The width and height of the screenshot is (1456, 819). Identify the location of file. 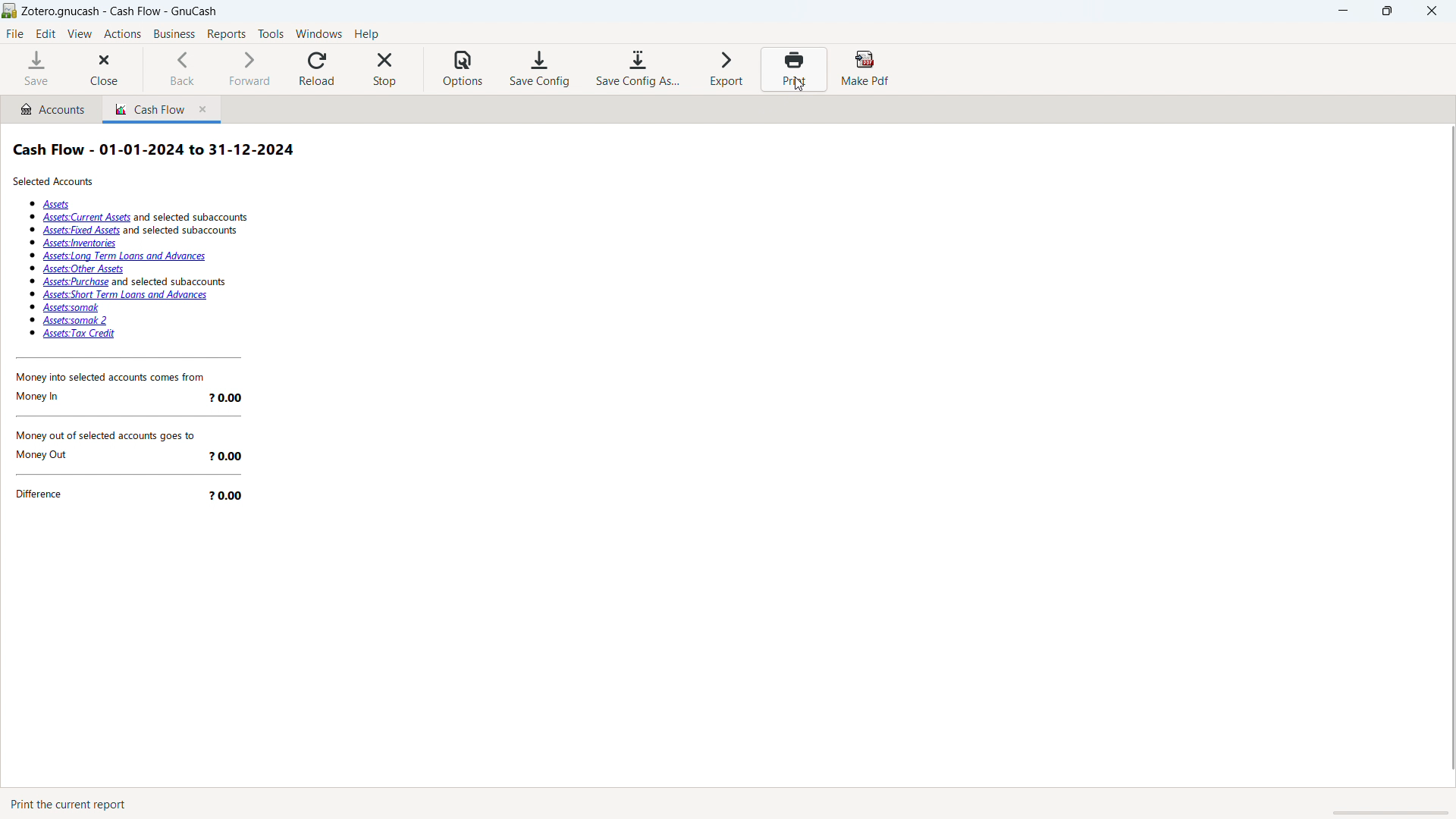
(15, 33).